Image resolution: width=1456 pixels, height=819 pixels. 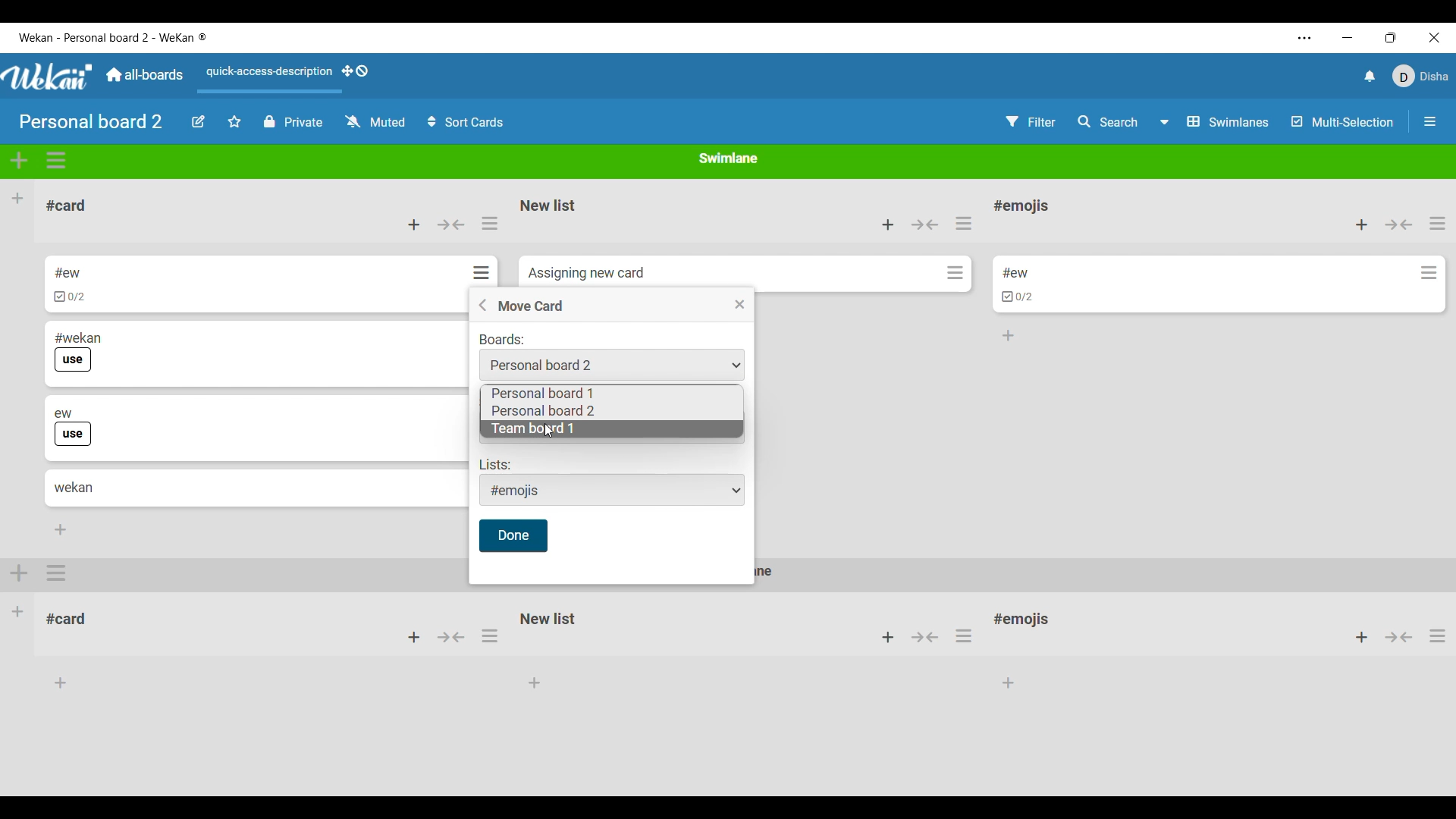 What do you see at coordinates (74, 428) in the screenshot?
I see `Card title and label` at bounding box center [74, 428].